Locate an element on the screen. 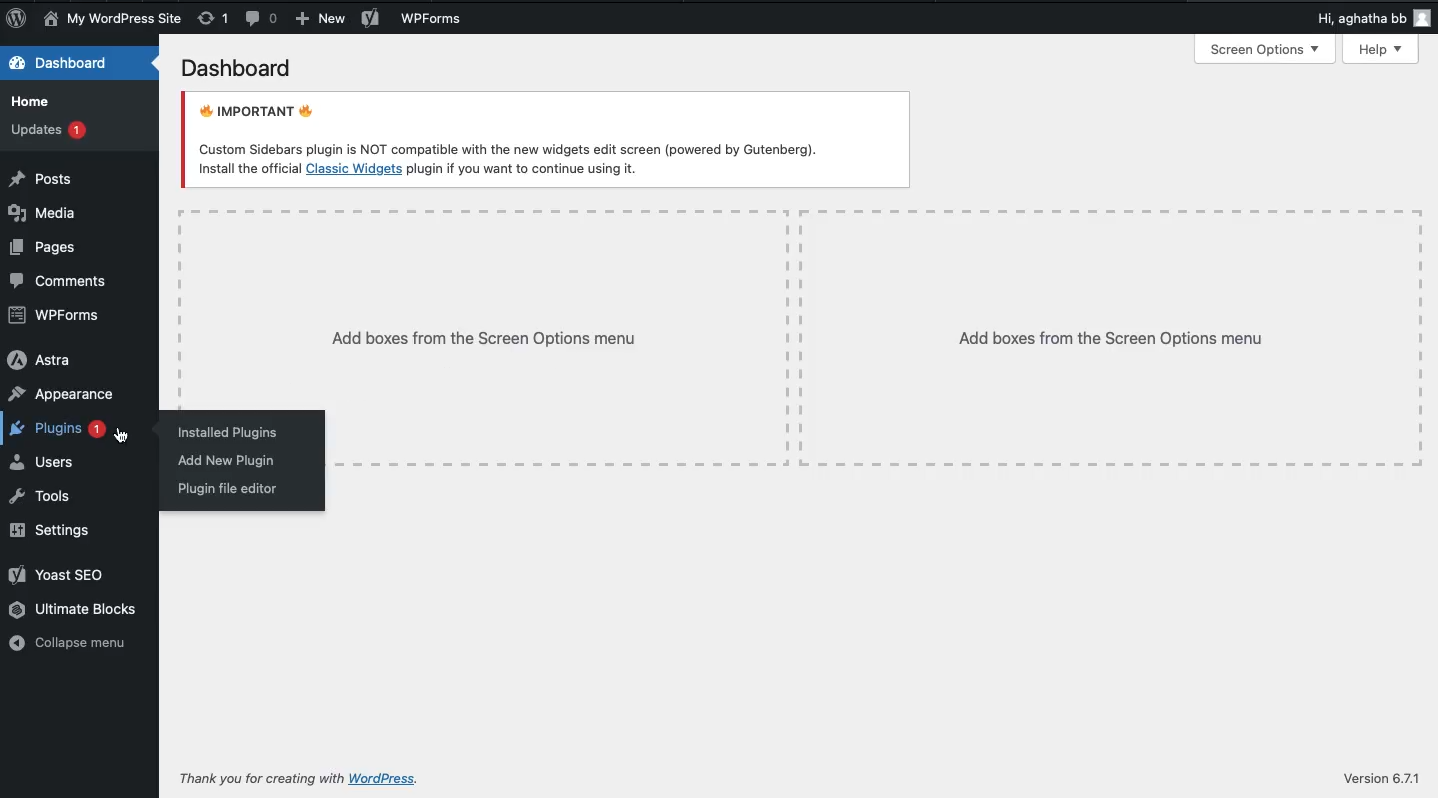 The width and height of the screenshot is (1438, 798). Add boxes from the screen options menu is located at coordinates (876, 338).